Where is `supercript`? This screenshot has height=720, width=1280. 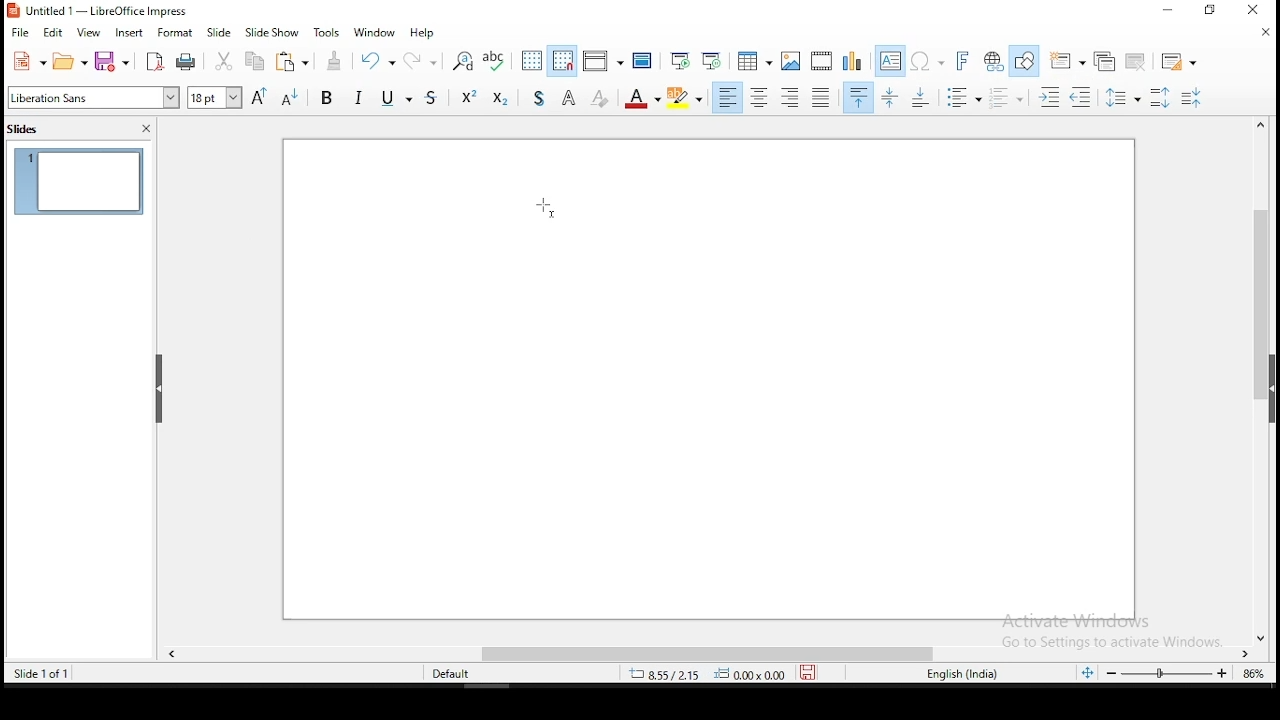 supercript is located at coordinates (464, 99).